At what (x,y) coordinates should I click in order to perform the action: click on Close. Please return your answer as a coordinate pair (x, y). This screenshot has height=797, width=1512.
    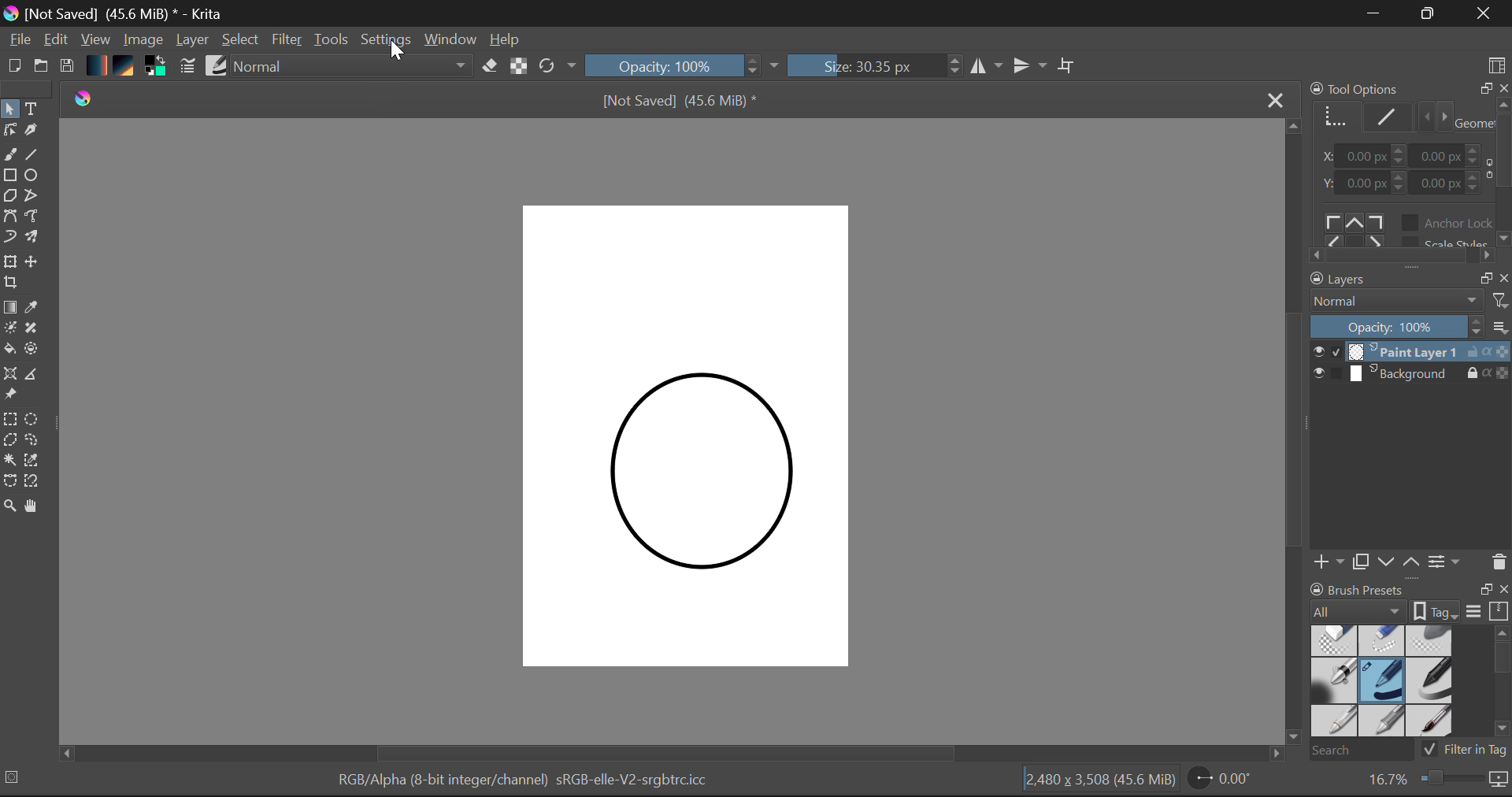
    Looking at the image, I should click on (1487, 13).